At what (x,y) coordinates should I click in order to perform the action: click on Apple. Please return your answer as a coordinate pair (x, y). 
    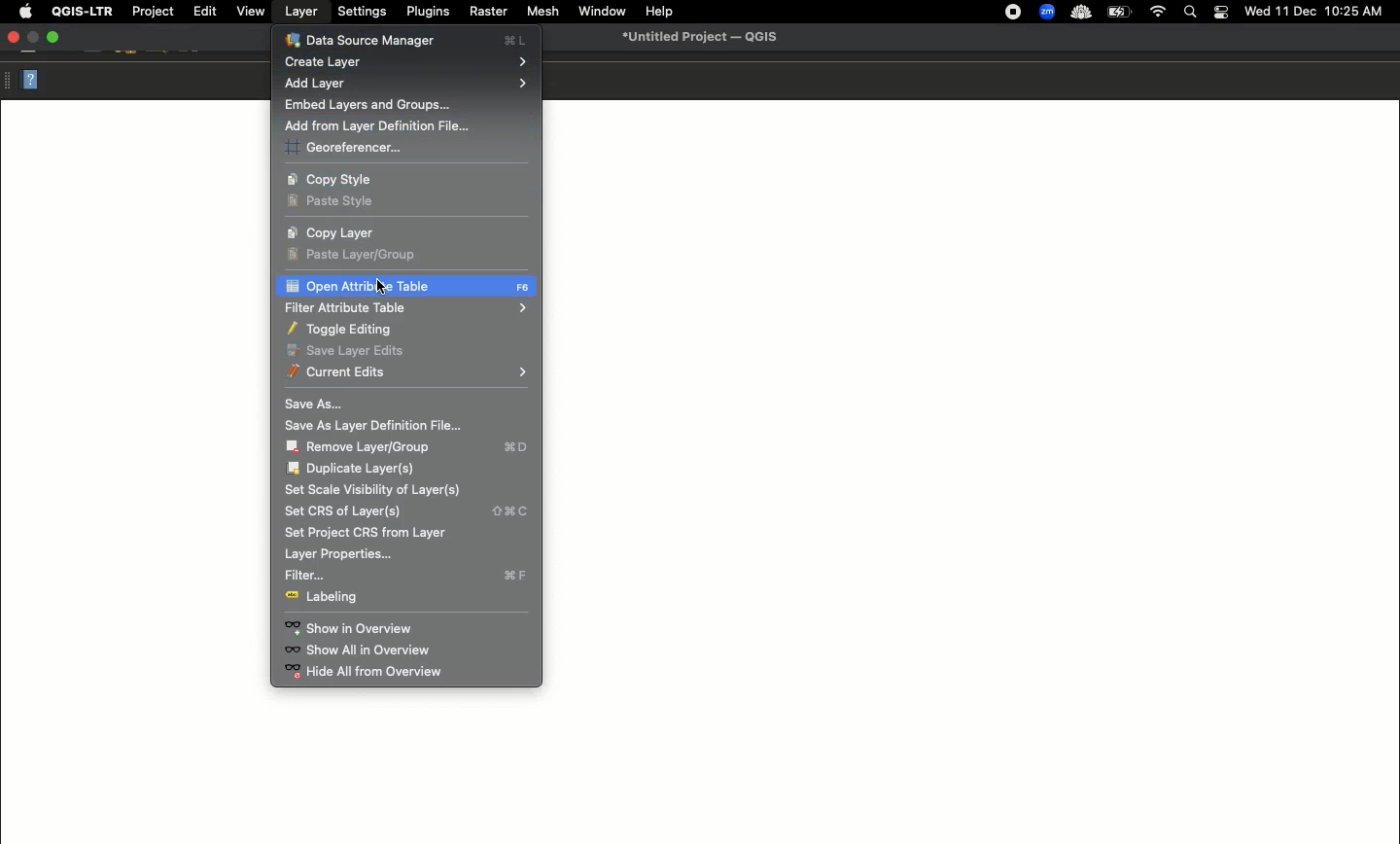
    Looking at the image, I should click on (22, 13).